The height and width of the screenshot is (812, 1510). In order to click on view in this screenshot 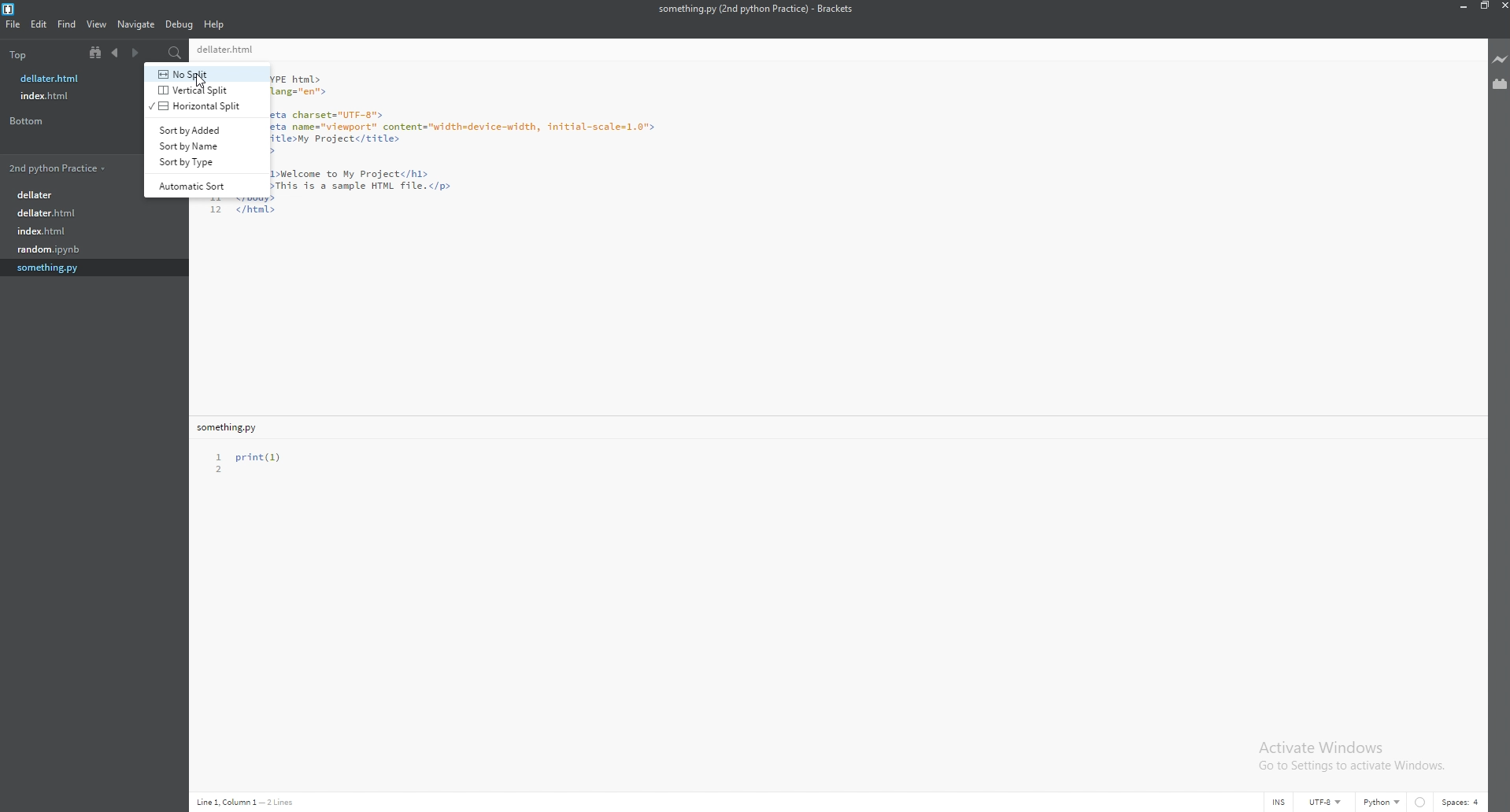, I will do `click(98, 24)`.